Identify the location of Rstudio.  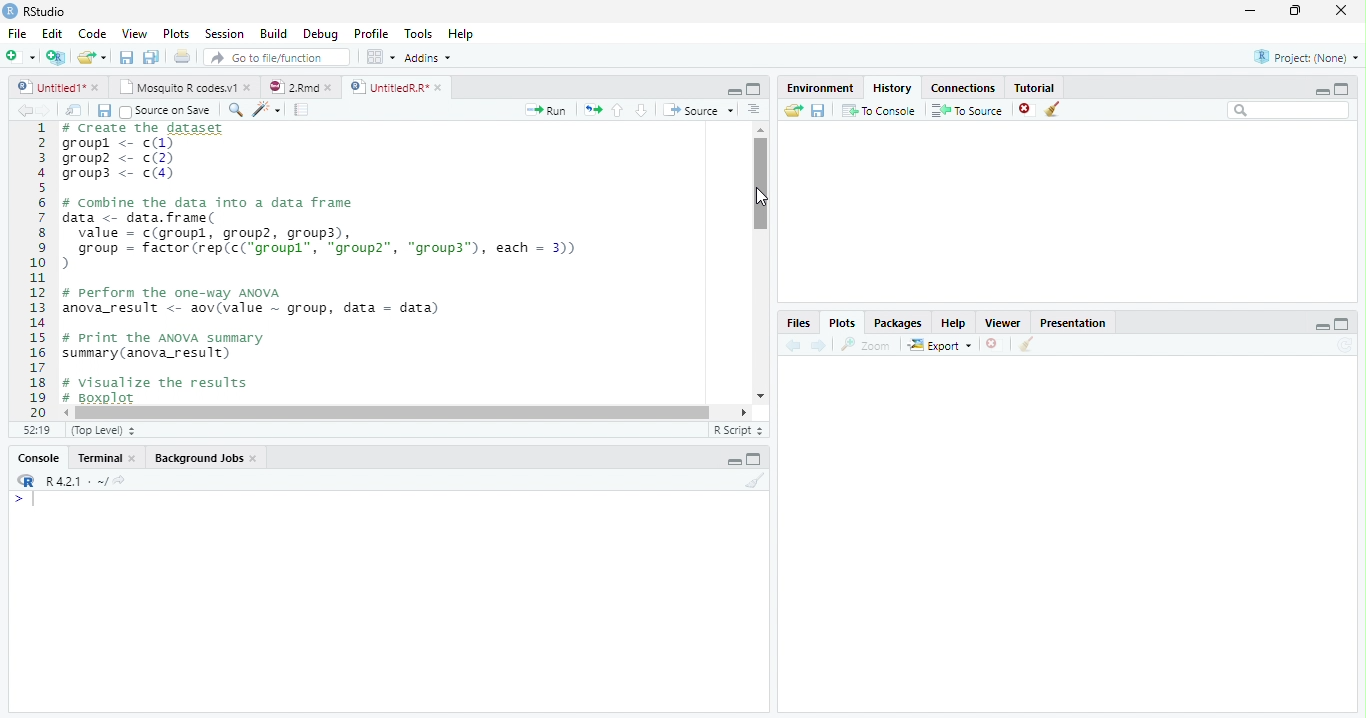
(33, 9).